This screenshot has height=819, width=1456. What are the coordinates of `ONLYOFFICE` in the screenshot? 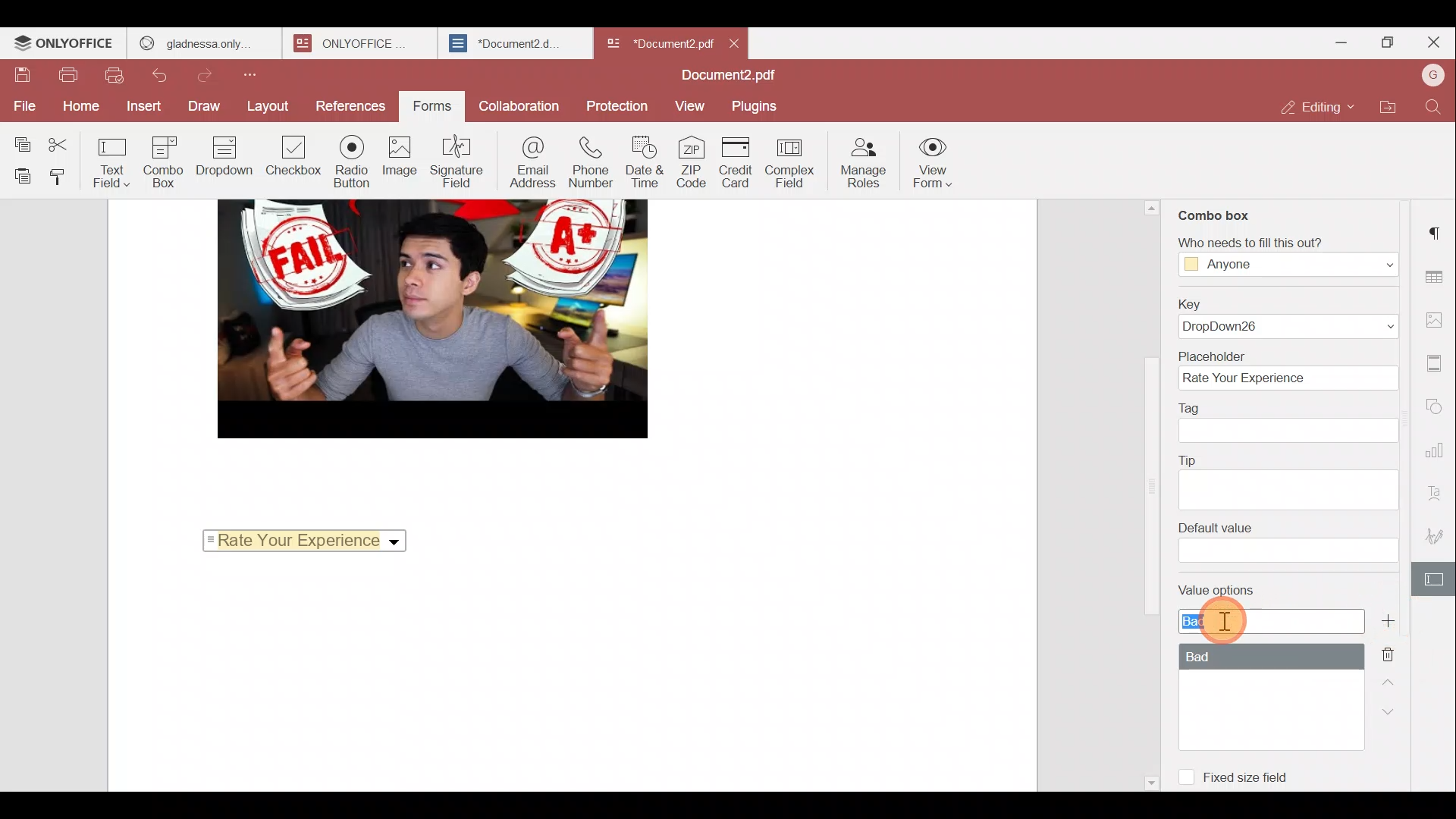 It's located at (350, 43).